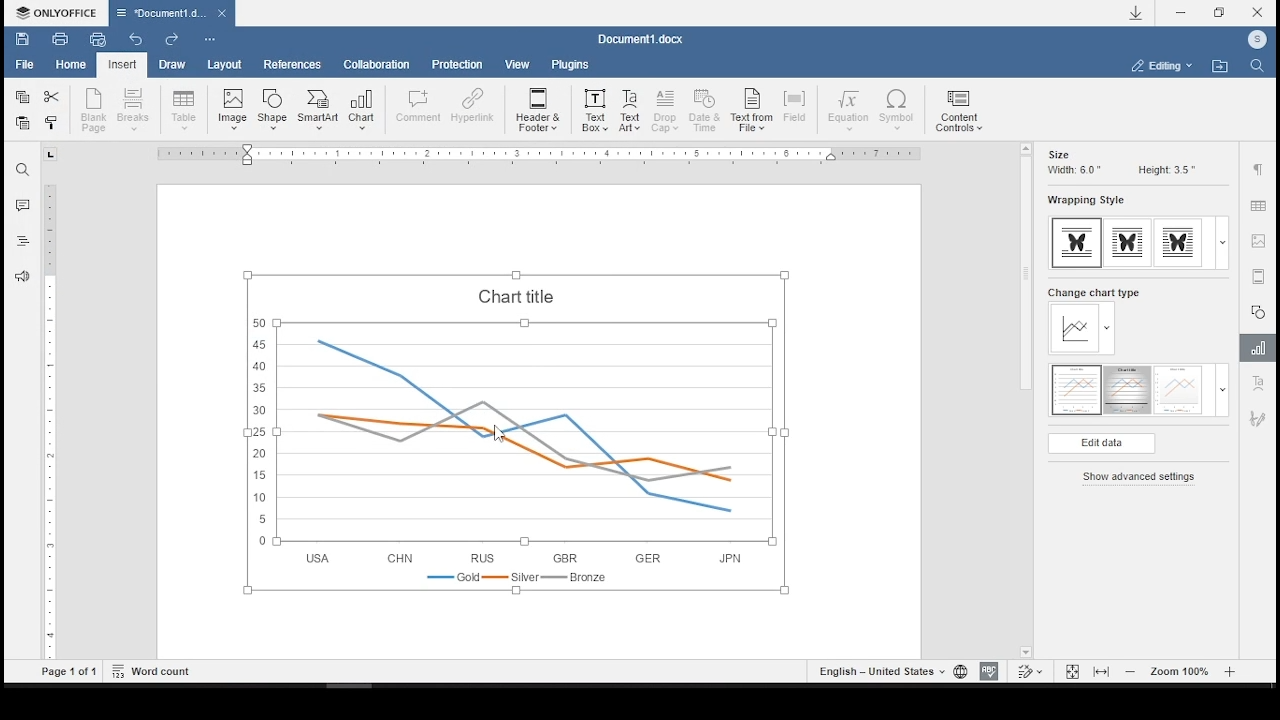 The height and width of the screenshot is (720, 1280). What do you see at coordinates (52, 98) in the screenshot?
I see `cut` at bounding box center [52, 98].